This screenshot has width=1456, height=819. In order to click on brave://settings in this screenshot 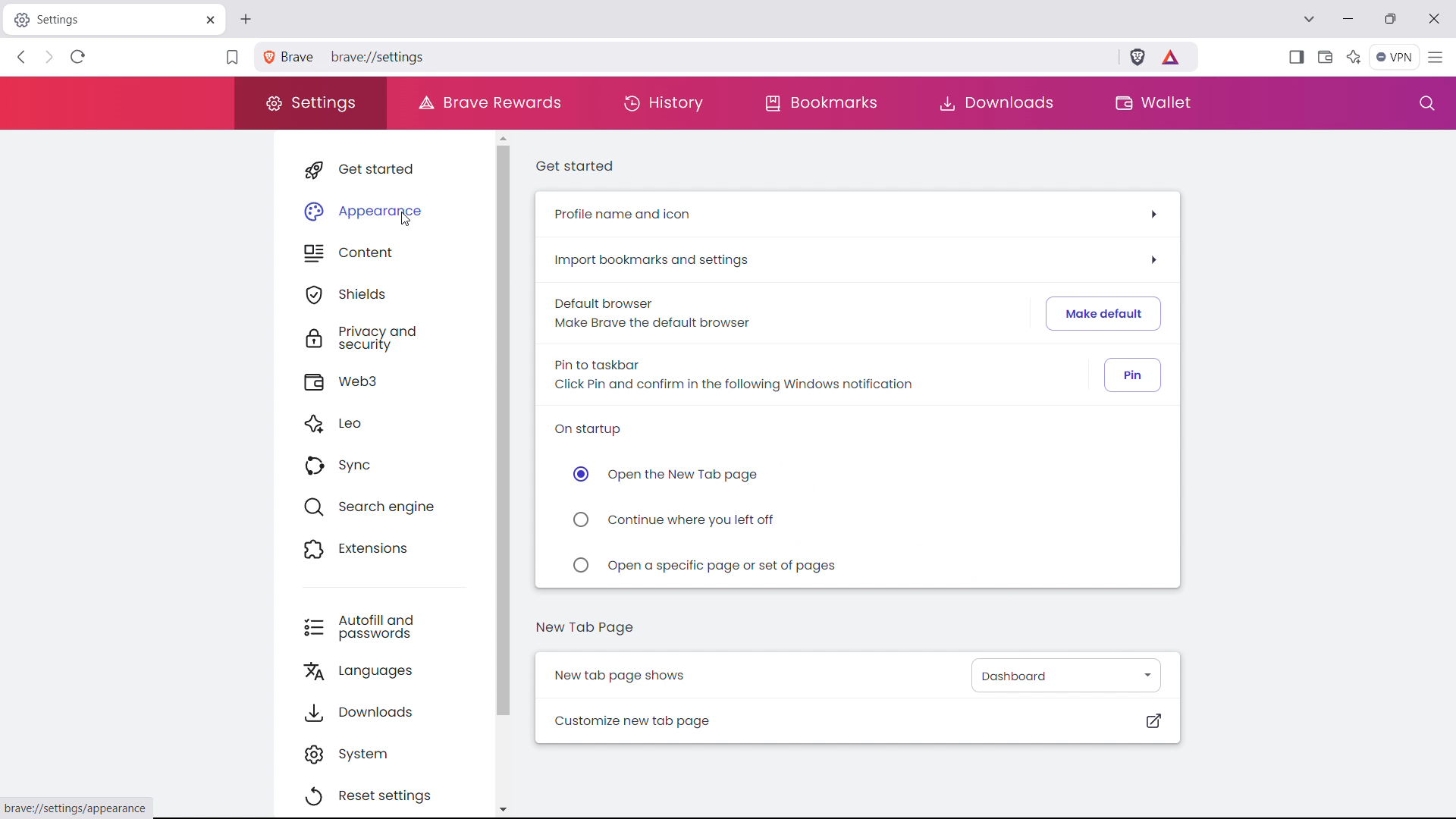, I will do `click(715, 57)`.